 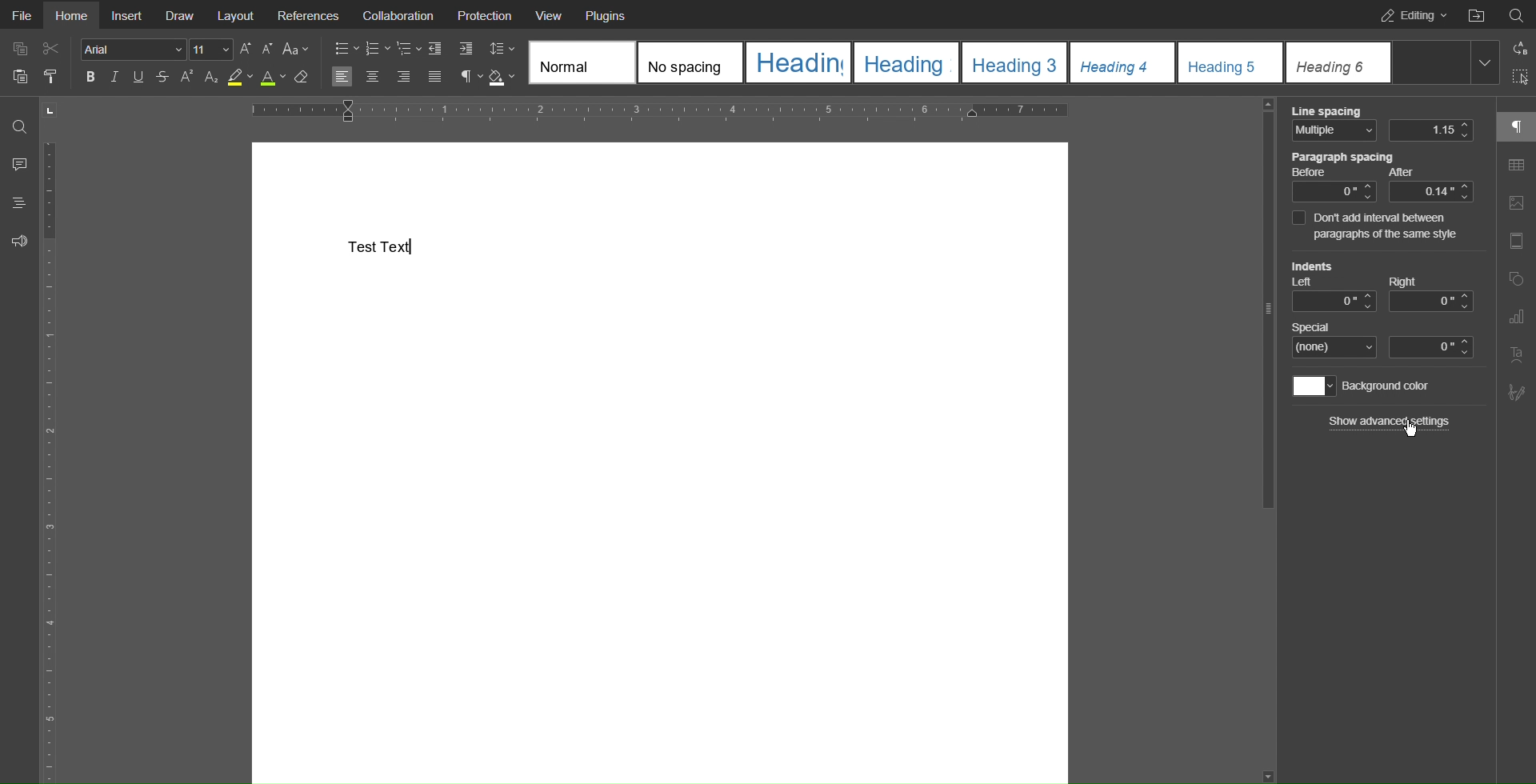 I want to click on Special, so click(x=1383, y=339).